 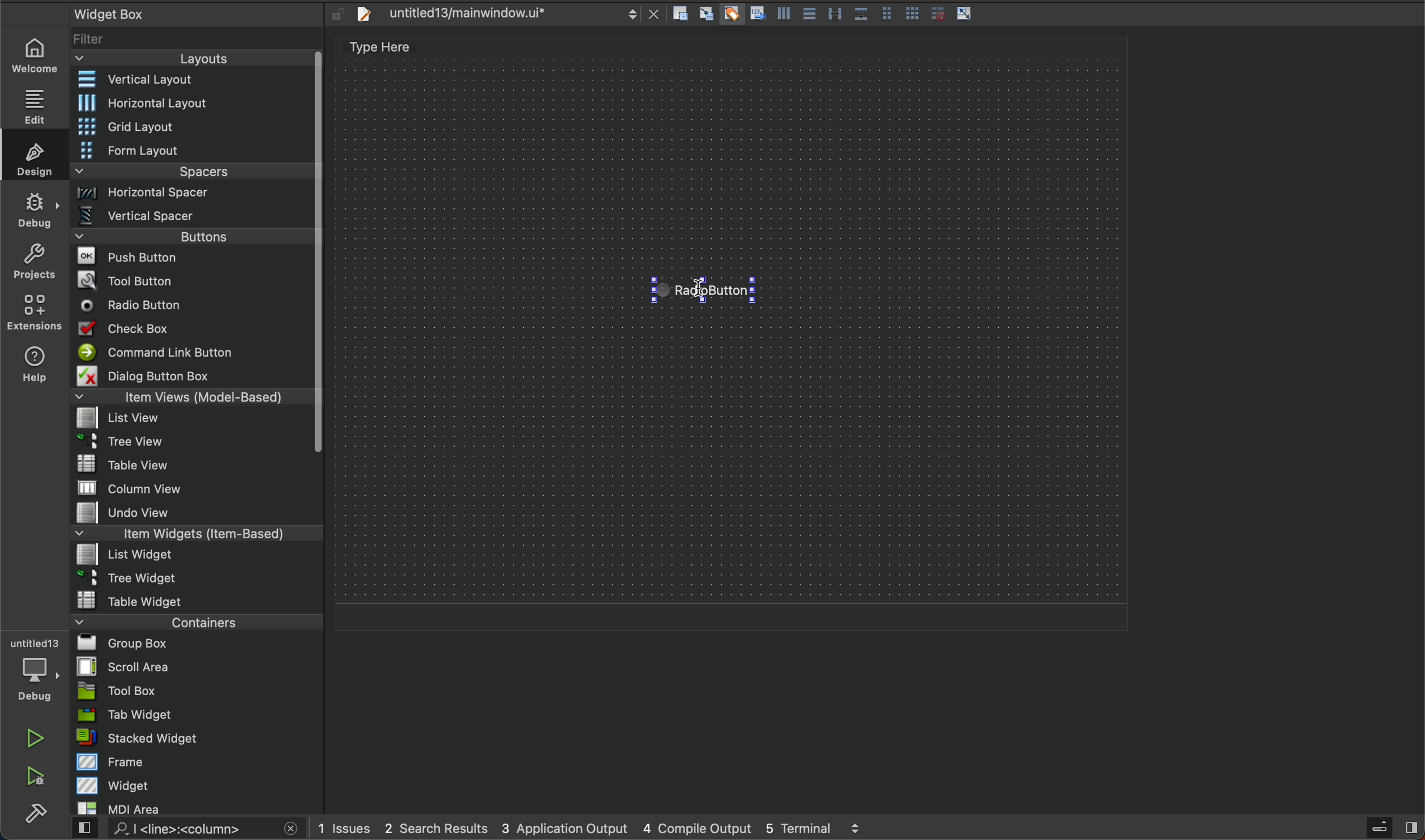 I want to click on , so click(x=860, y=15).